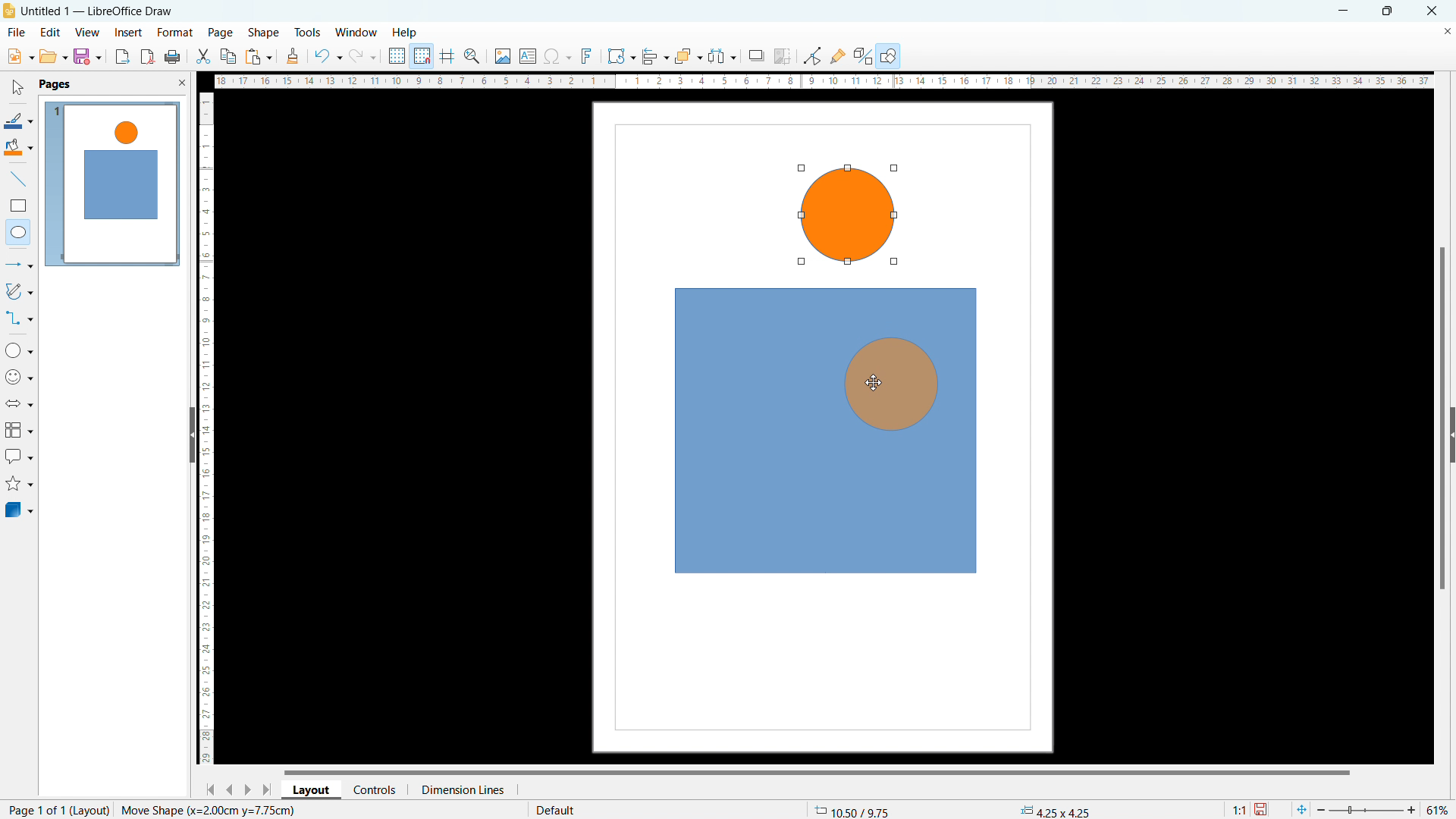  Describe the element at coordinates (406, 33) in the screenshot. I see `help` at that location.